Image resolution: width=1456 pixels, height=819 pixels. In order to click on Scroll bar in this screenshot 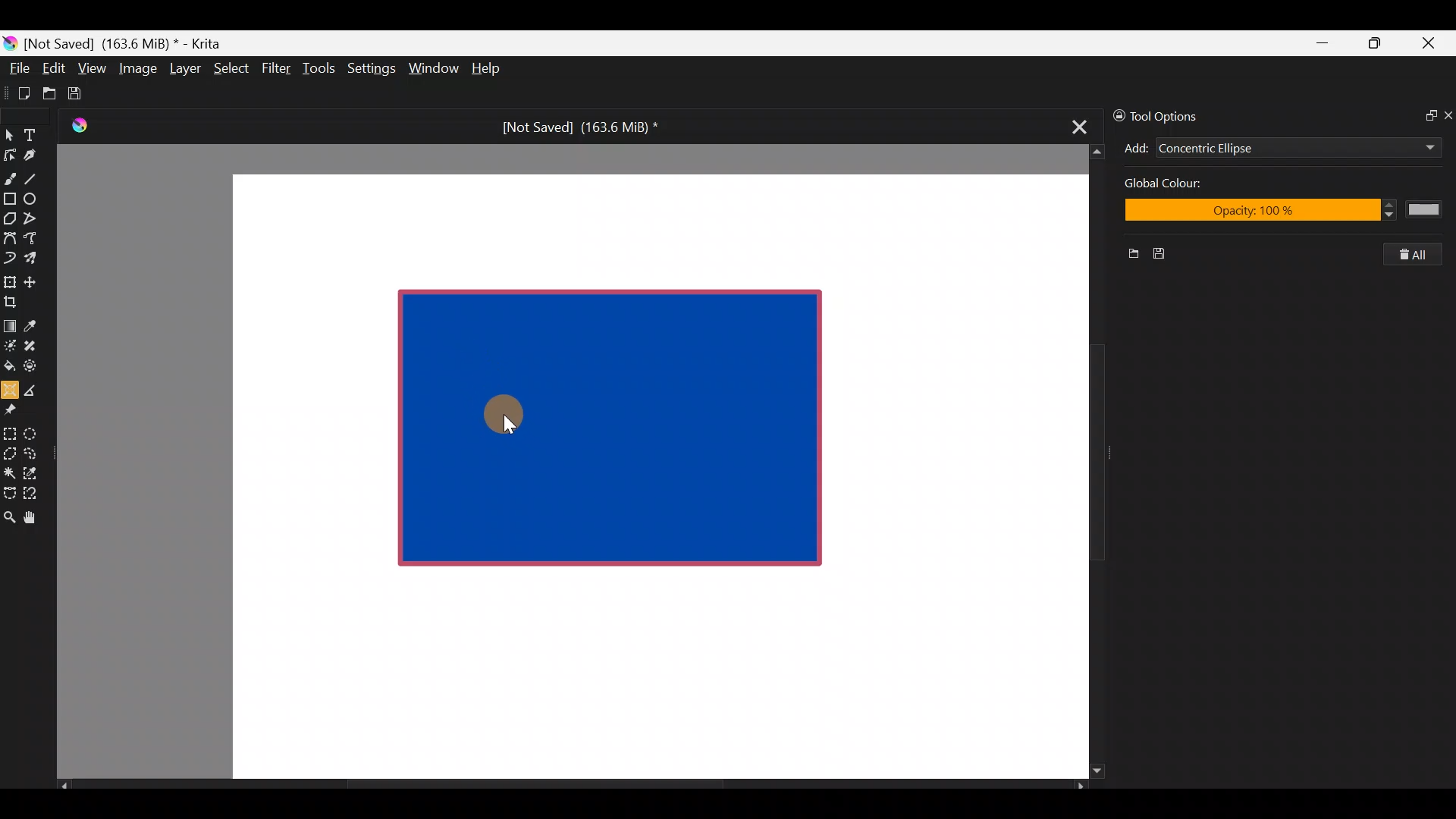, I will do `click(572, 786)`.